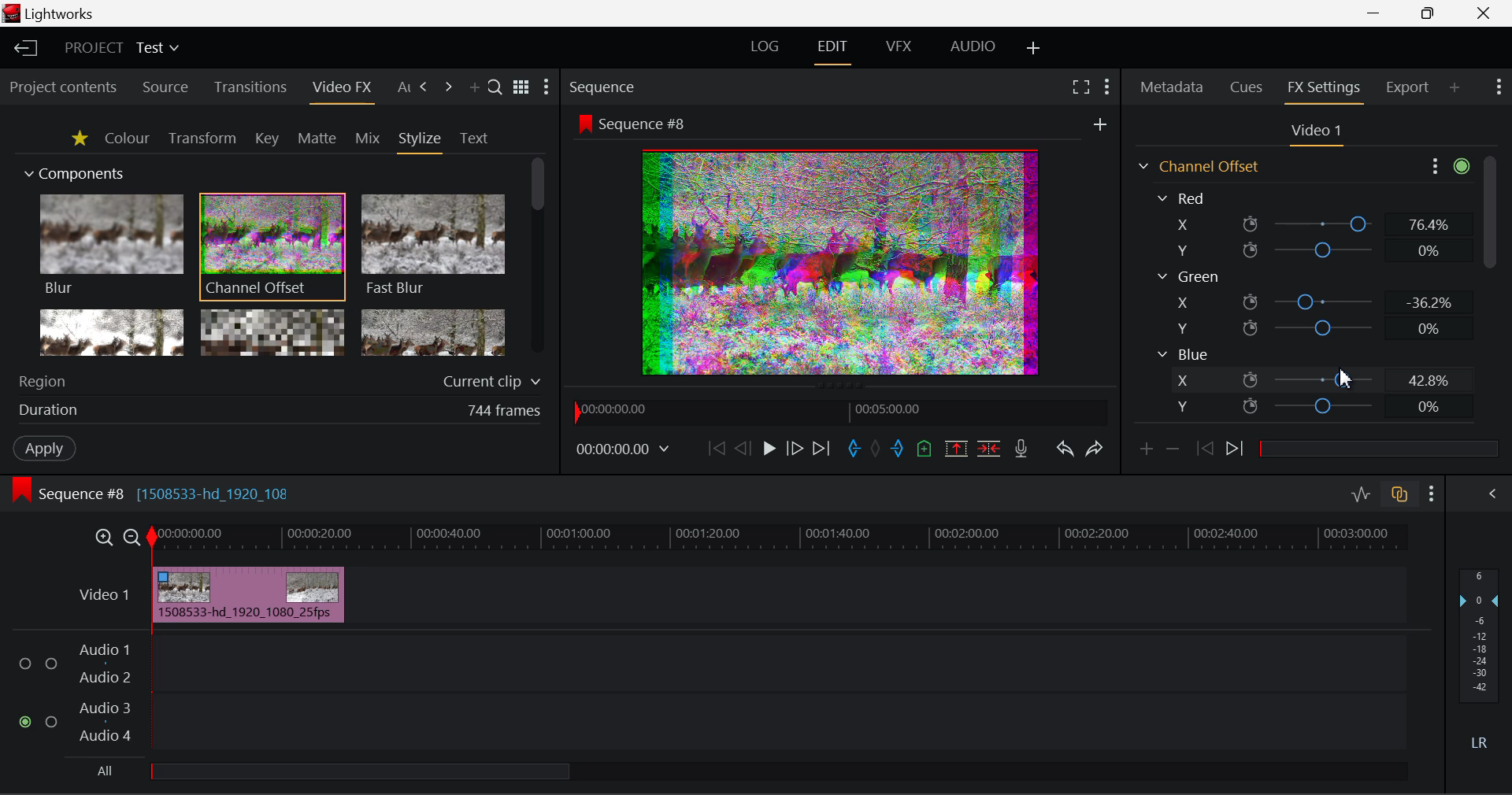 The image size is (1512, 795). What do you see at coordinates (1314, 379) in the screenshot?
I see `Blue X` at bounding box center [1314, 379].